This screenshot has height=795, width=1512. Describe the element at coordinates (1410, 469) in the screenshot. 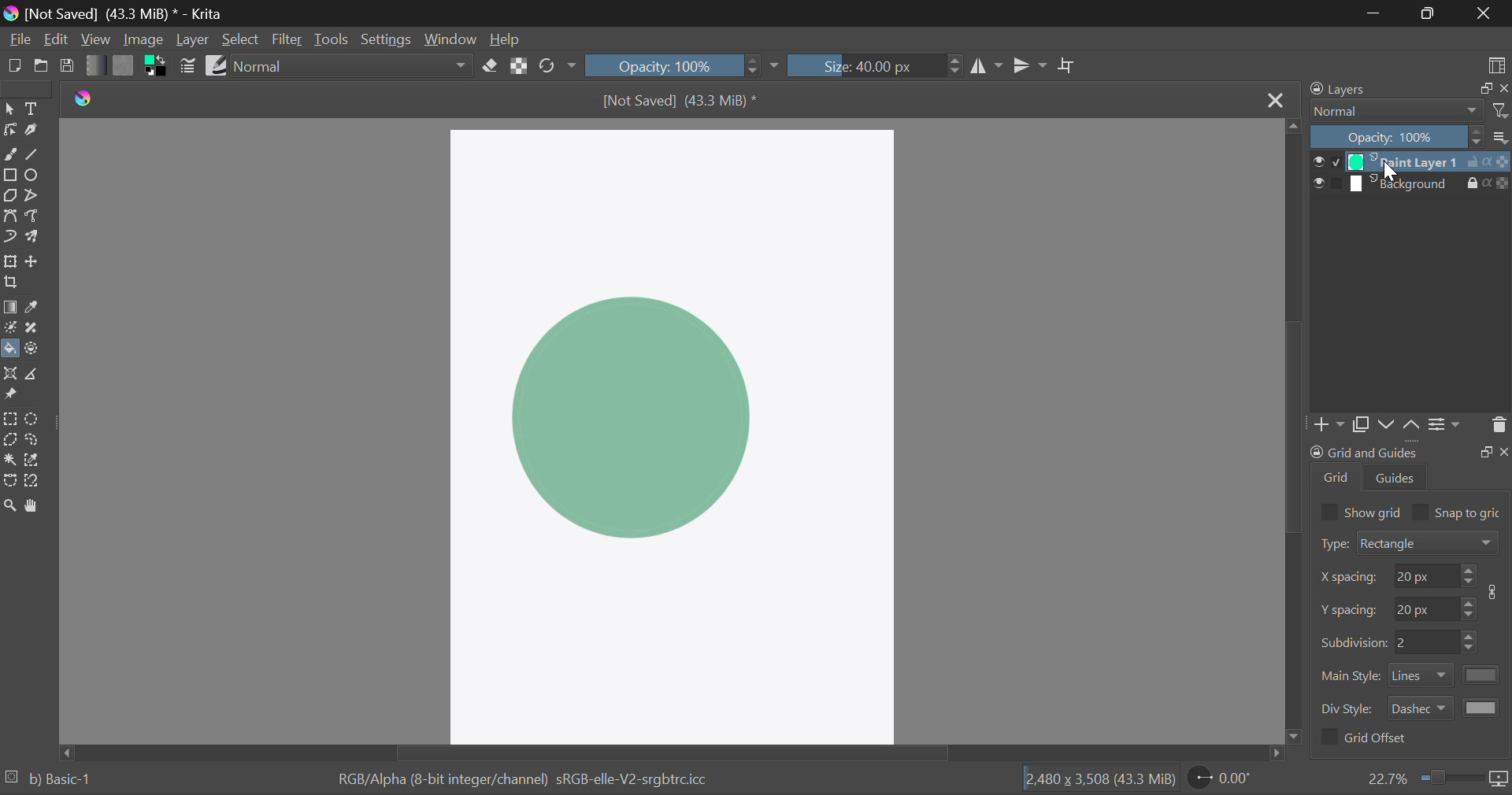

I see `Grid and Guides Docker Tab` at that location.